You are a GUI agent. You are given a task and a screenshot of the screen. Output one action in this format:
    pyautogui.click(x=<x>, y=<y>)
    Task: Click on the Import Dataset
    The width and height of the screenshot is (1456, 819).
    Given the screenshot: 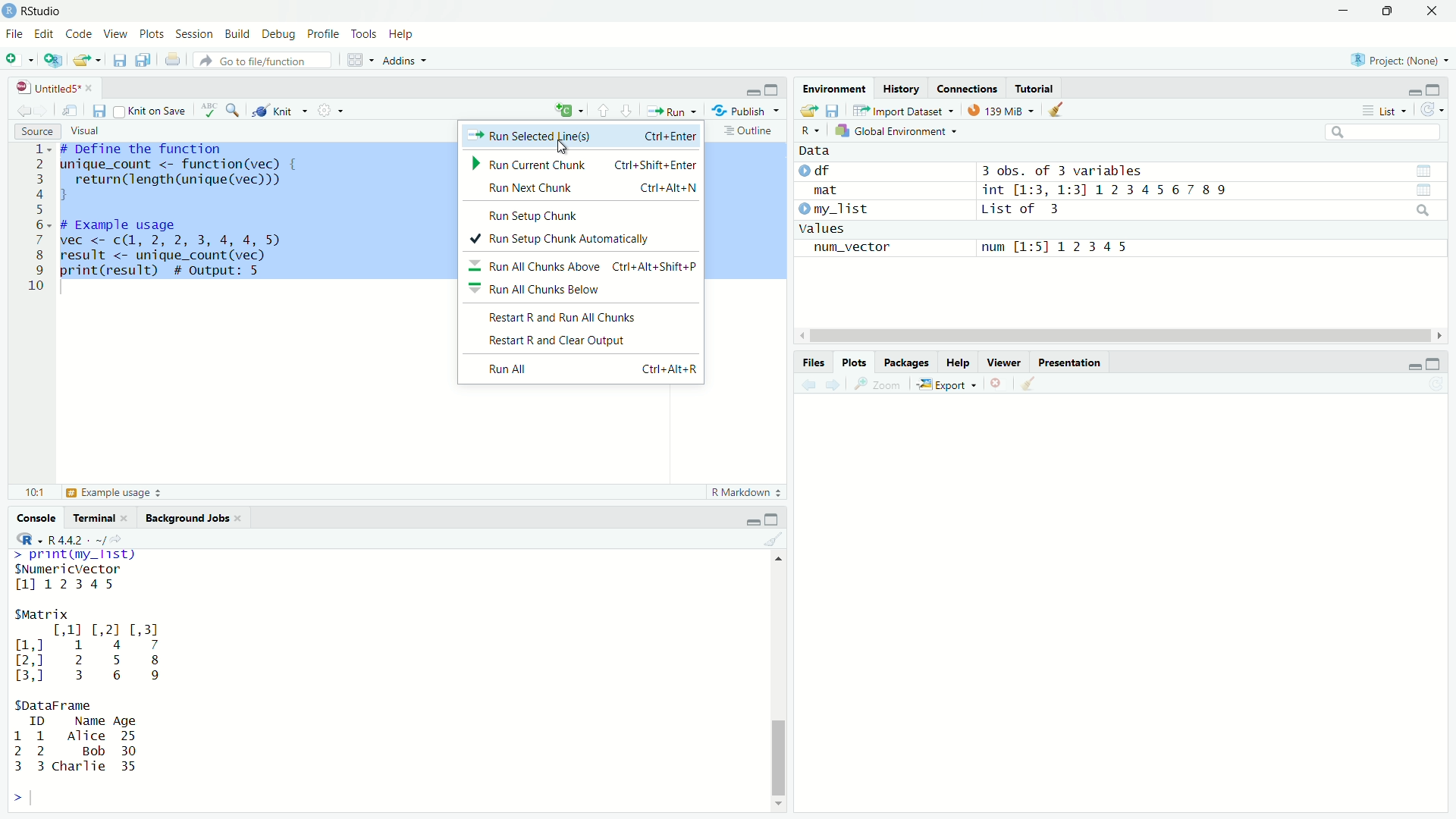 What is the action you would take?
    pyautogui.click(x=902, y=111)
    